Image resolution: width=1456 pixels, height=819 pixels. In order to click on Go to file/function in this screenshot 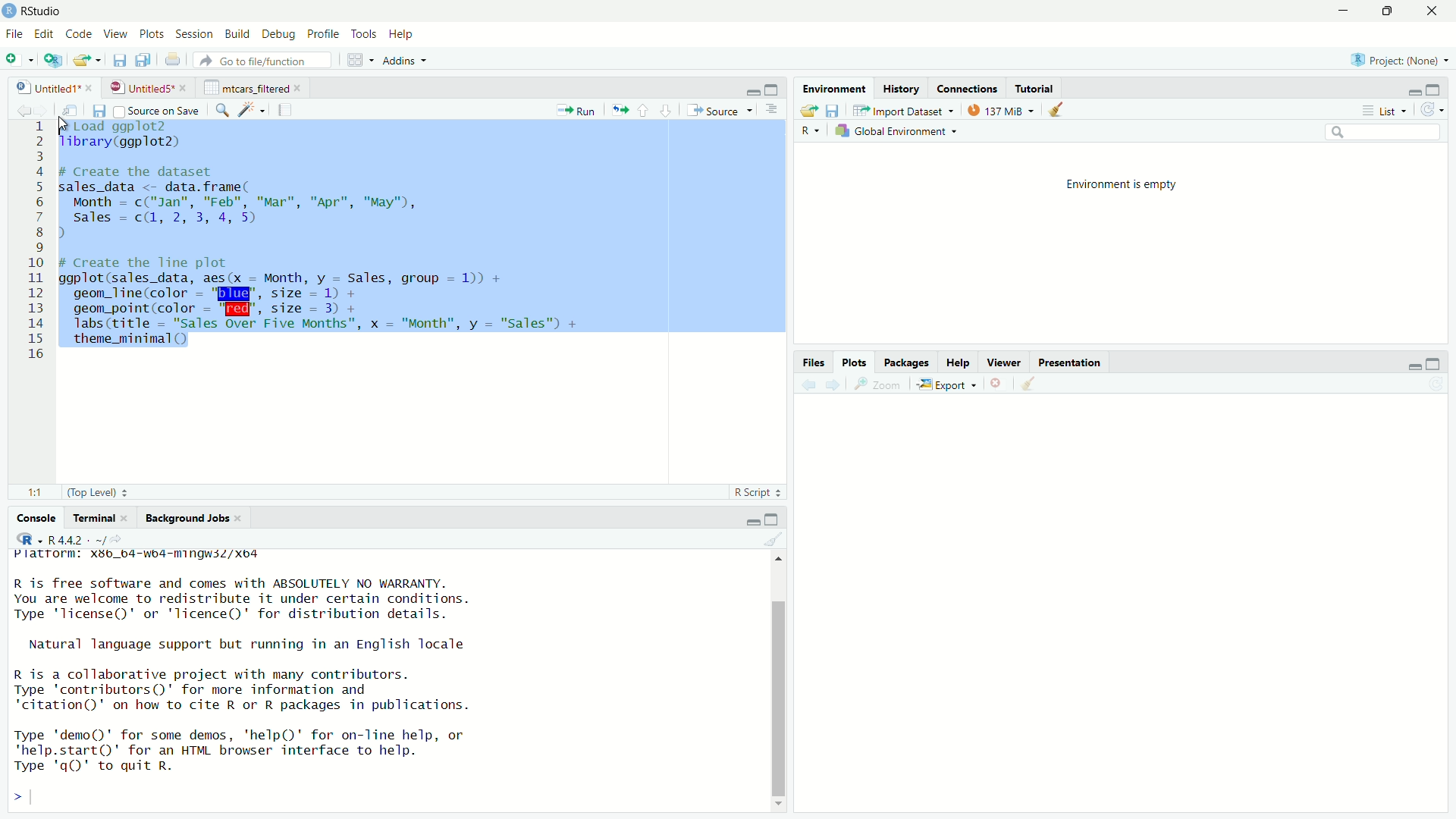, I will do `click(262, 60)`.